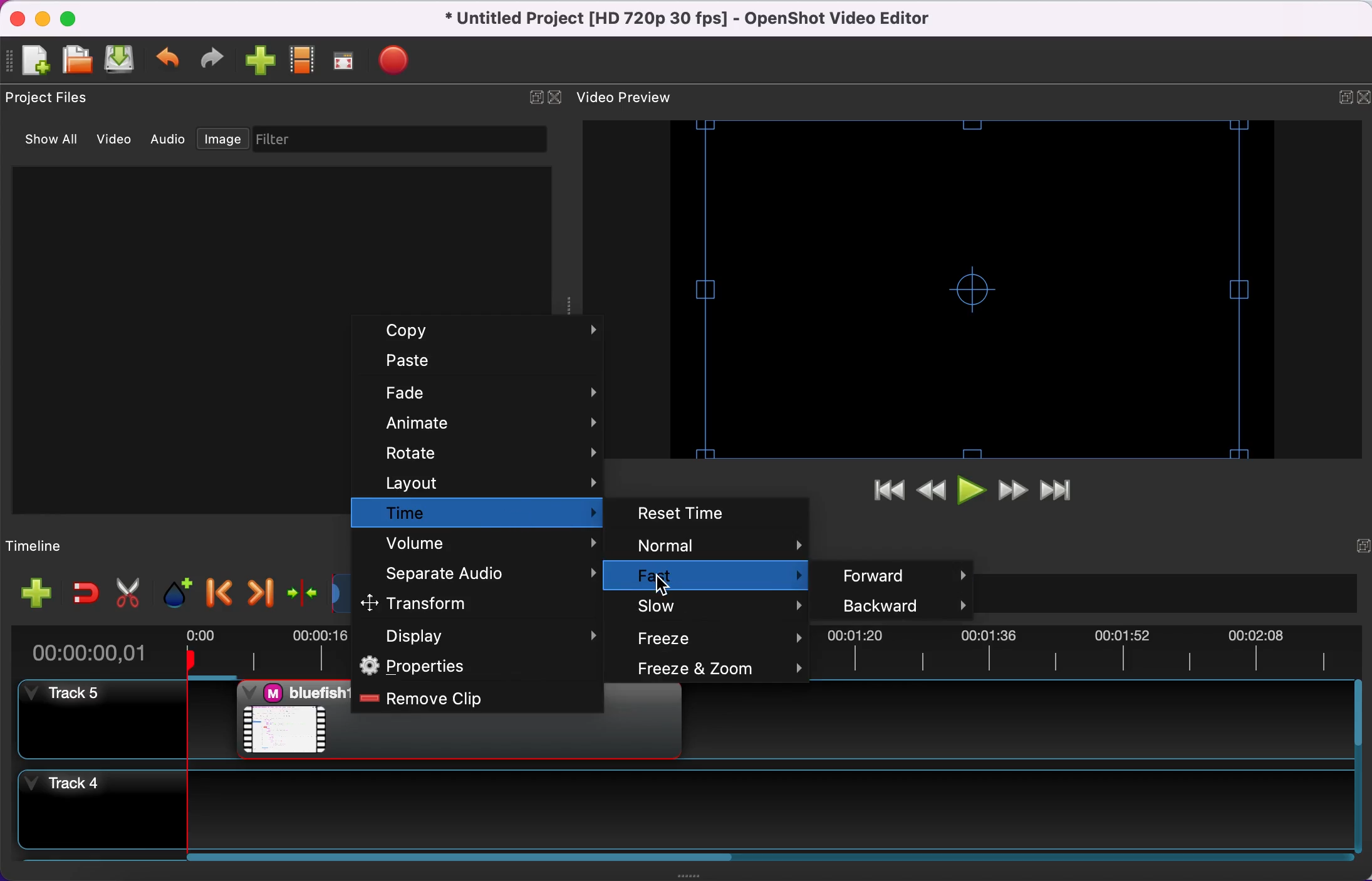 The image size is (1372, 881). Describe the element at coordinates (1353, 547) in the screenshot. I see `expand/hide` at that location.